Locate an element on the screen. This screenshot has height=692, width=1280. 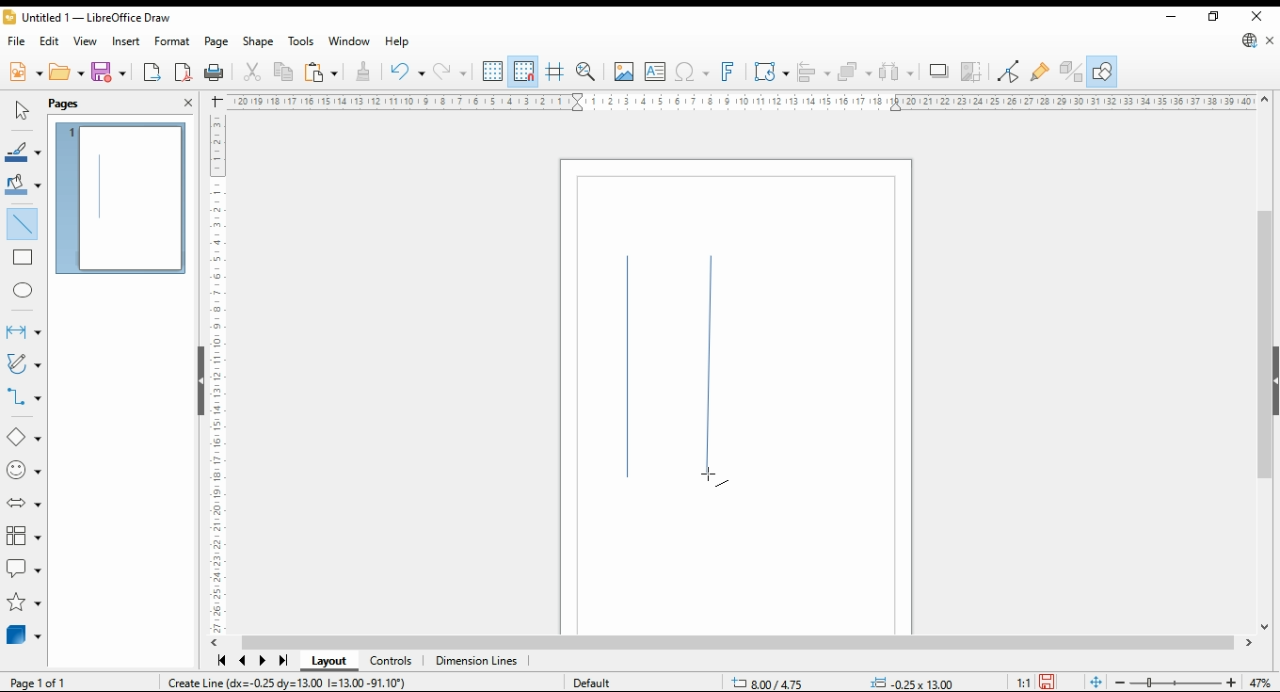
show extrusions is located at coordinates (1070, 71).